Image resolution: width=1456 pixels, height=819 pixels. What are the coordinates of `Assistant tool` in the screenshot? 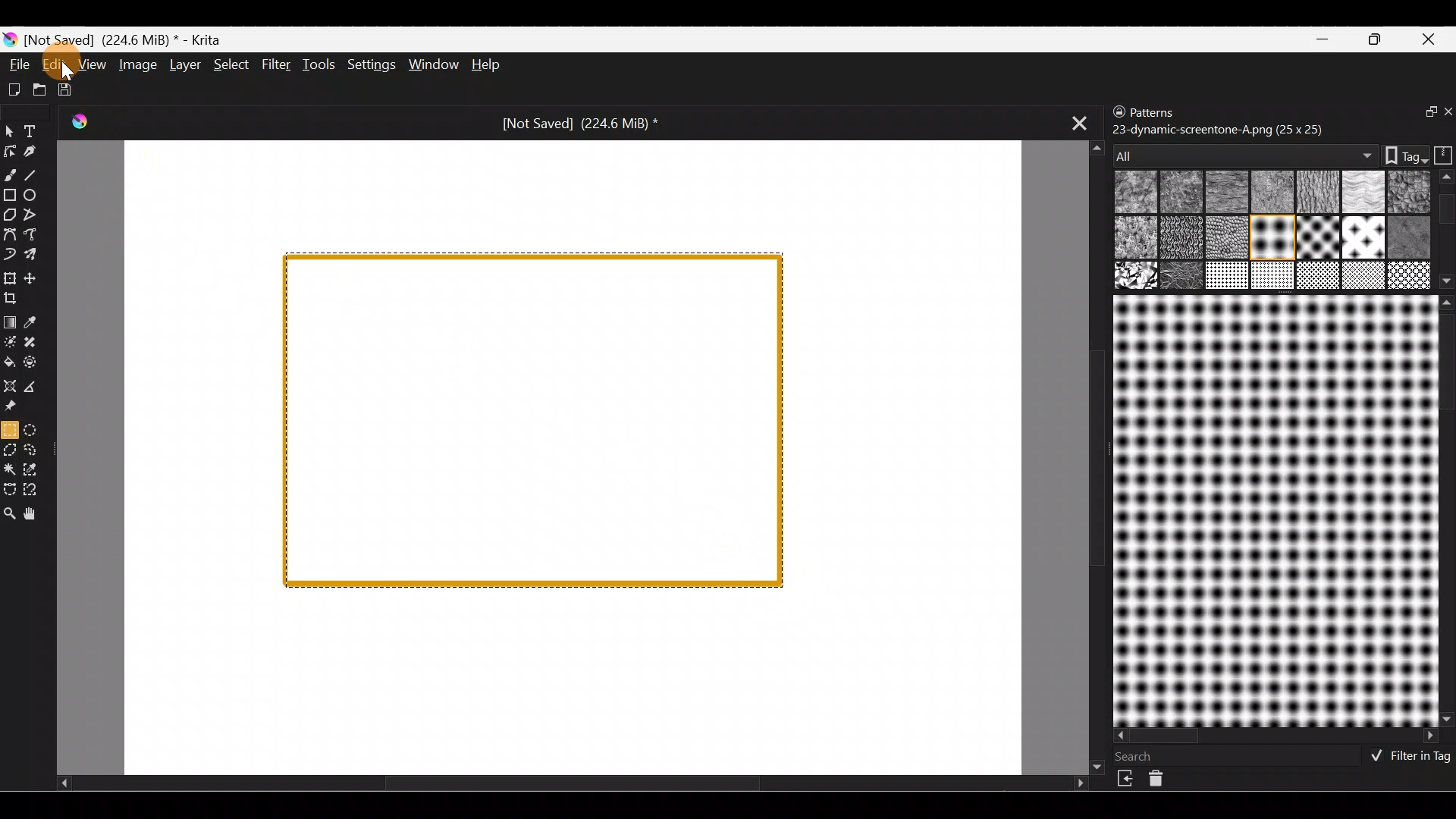 It's located at (11, 384).